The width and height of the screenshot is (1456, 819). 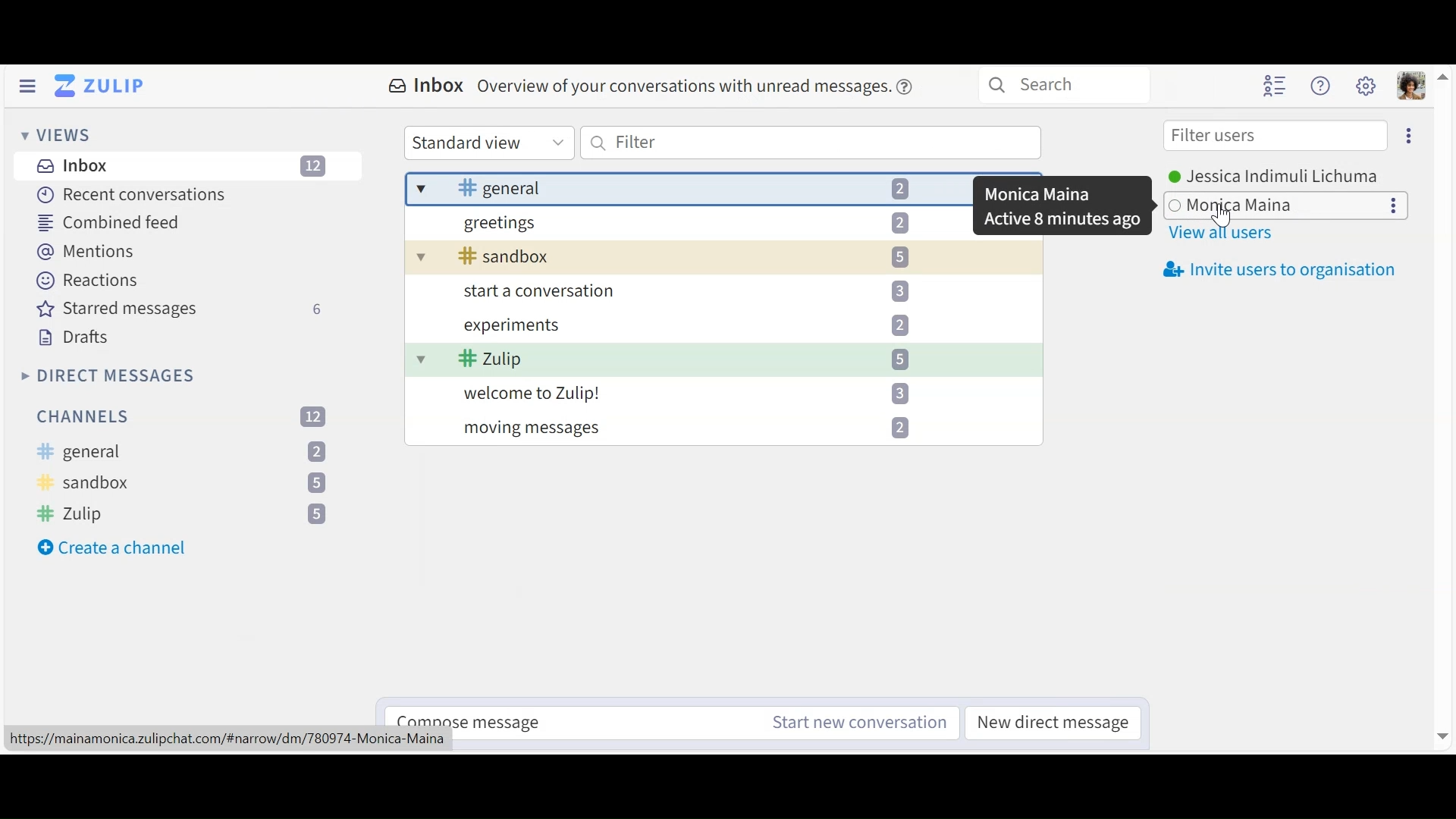 I want to click on message, so click(x=727, y=258).